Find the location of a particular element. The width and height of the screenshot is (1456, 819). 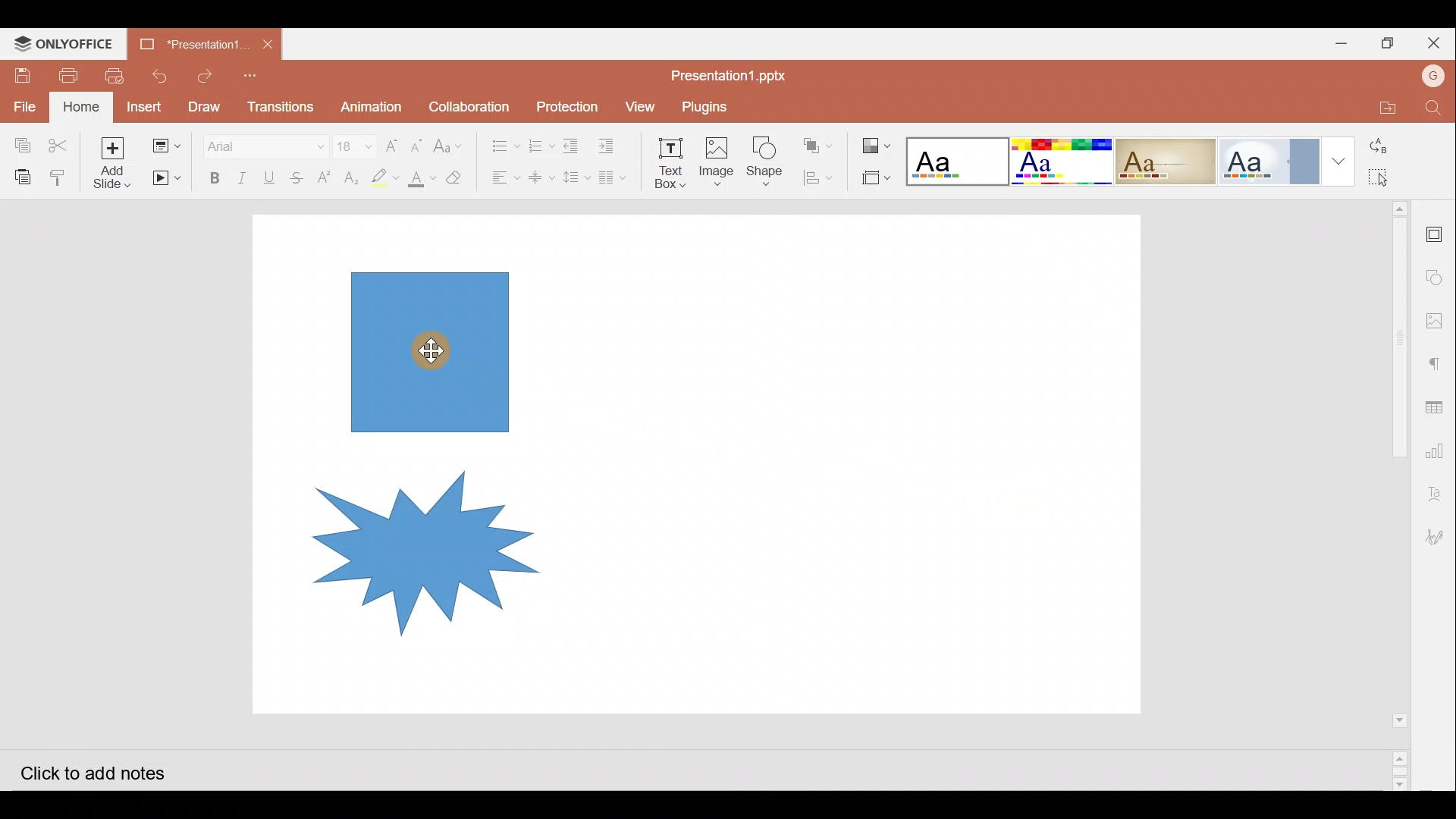

Select all is located at coordinates (1387, 178).